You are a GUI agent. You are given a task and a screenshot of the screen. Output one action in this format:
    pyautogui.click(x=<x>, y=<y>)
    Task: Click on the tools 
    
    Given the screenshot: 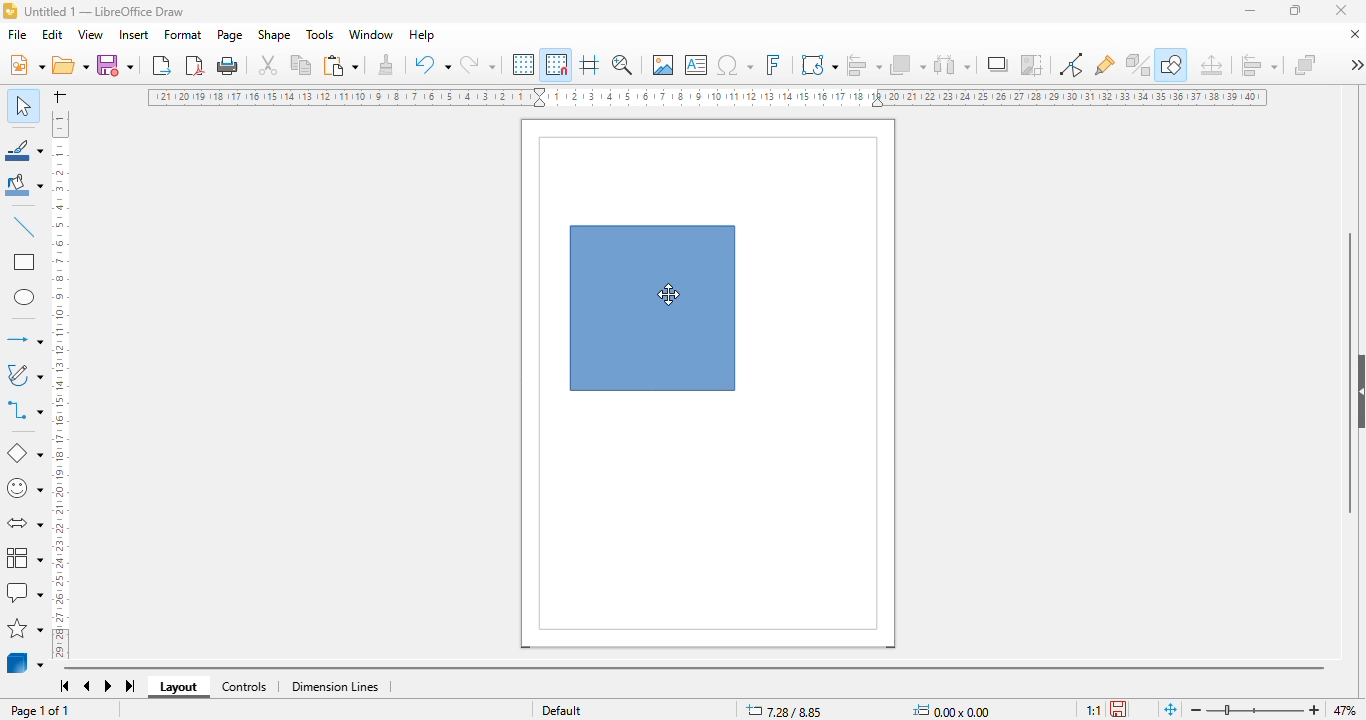 What is the action you would take?
    pyautogui.click(x=319, y=34)
    